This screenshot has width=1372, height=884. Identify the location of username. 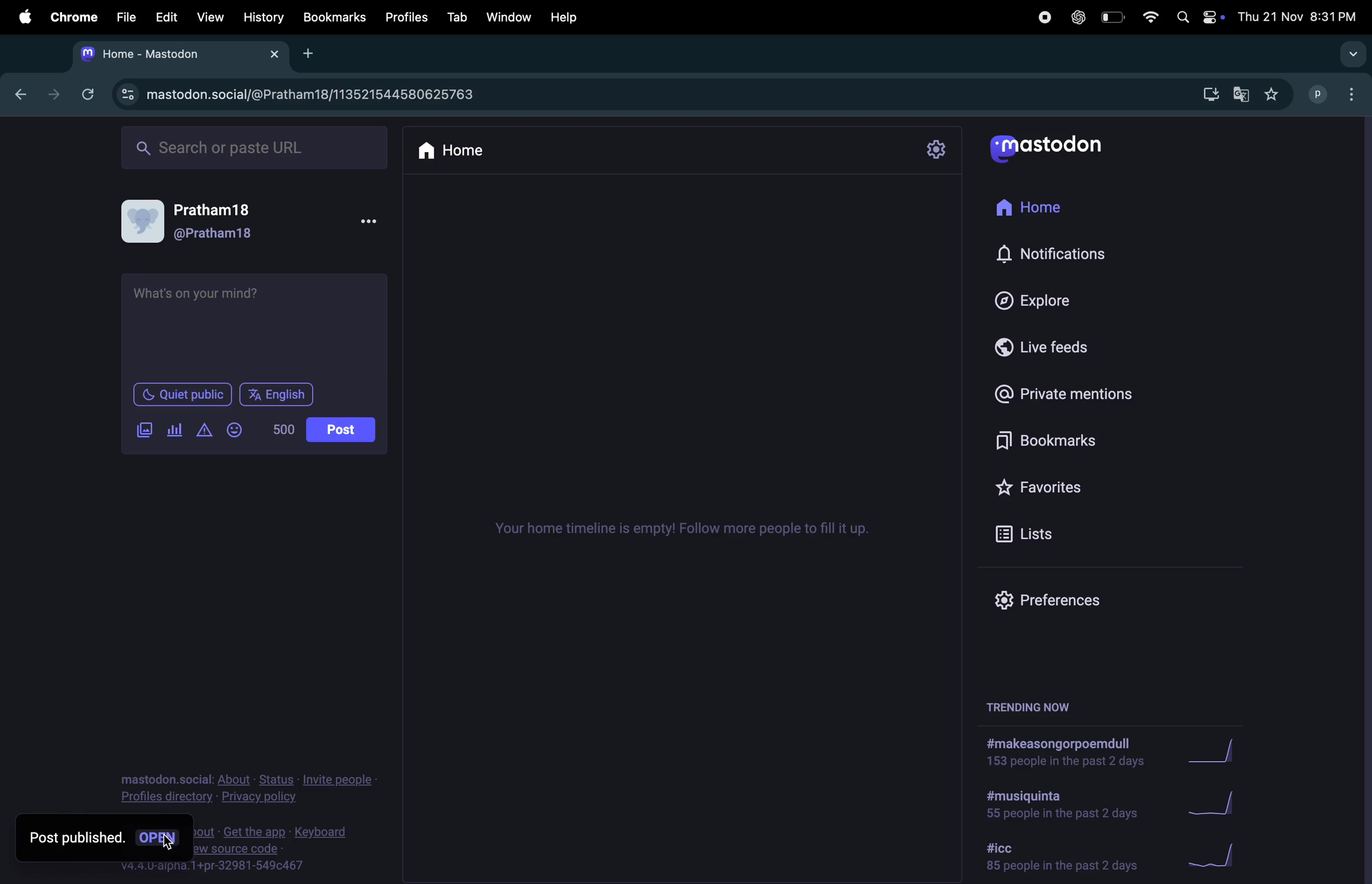
(1319, 95).